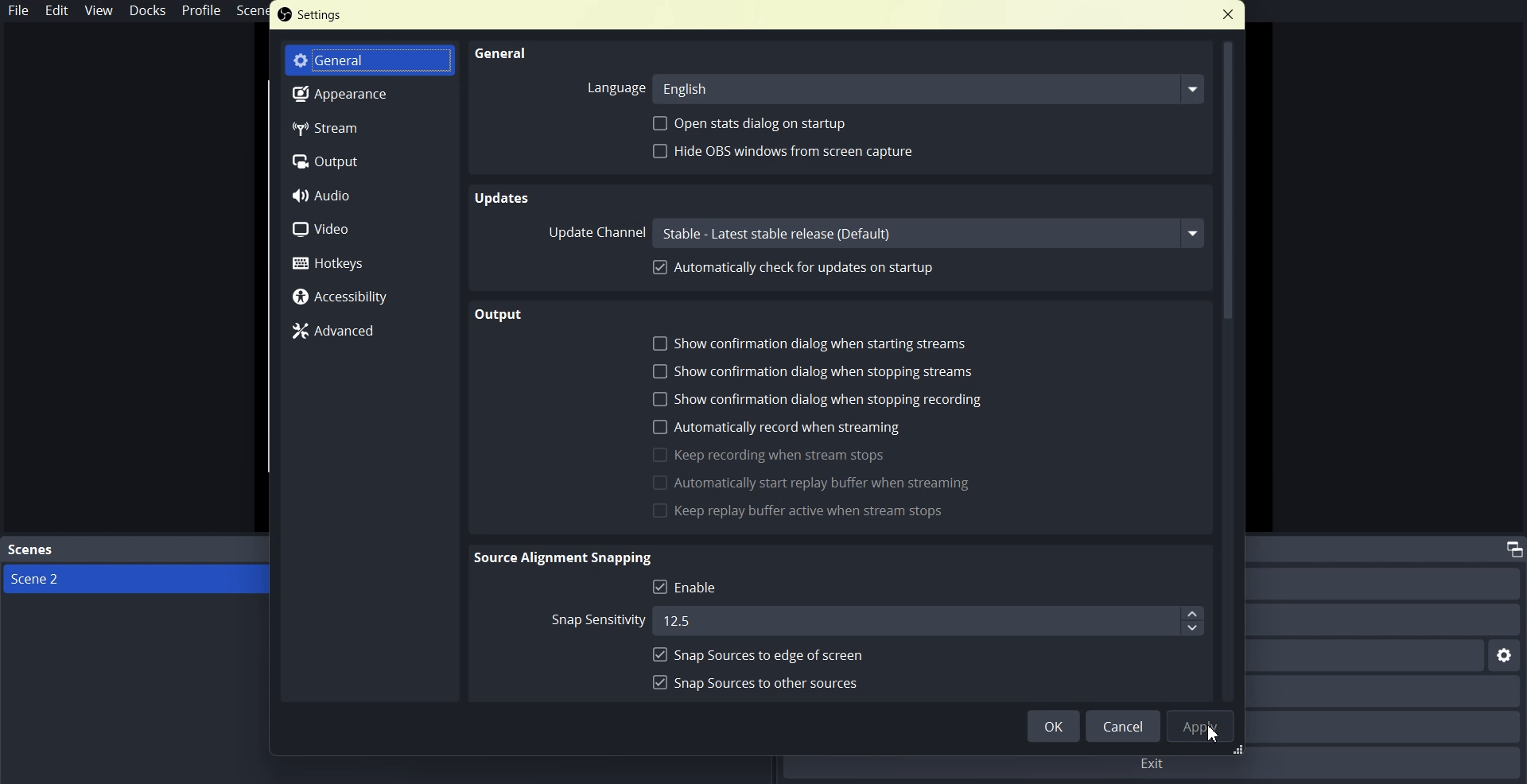 This screenshot has height=784, width=1527. What do you see at coordinates (930, 87) in the screenshot?
I see `english` at bounding box center [930, 87].